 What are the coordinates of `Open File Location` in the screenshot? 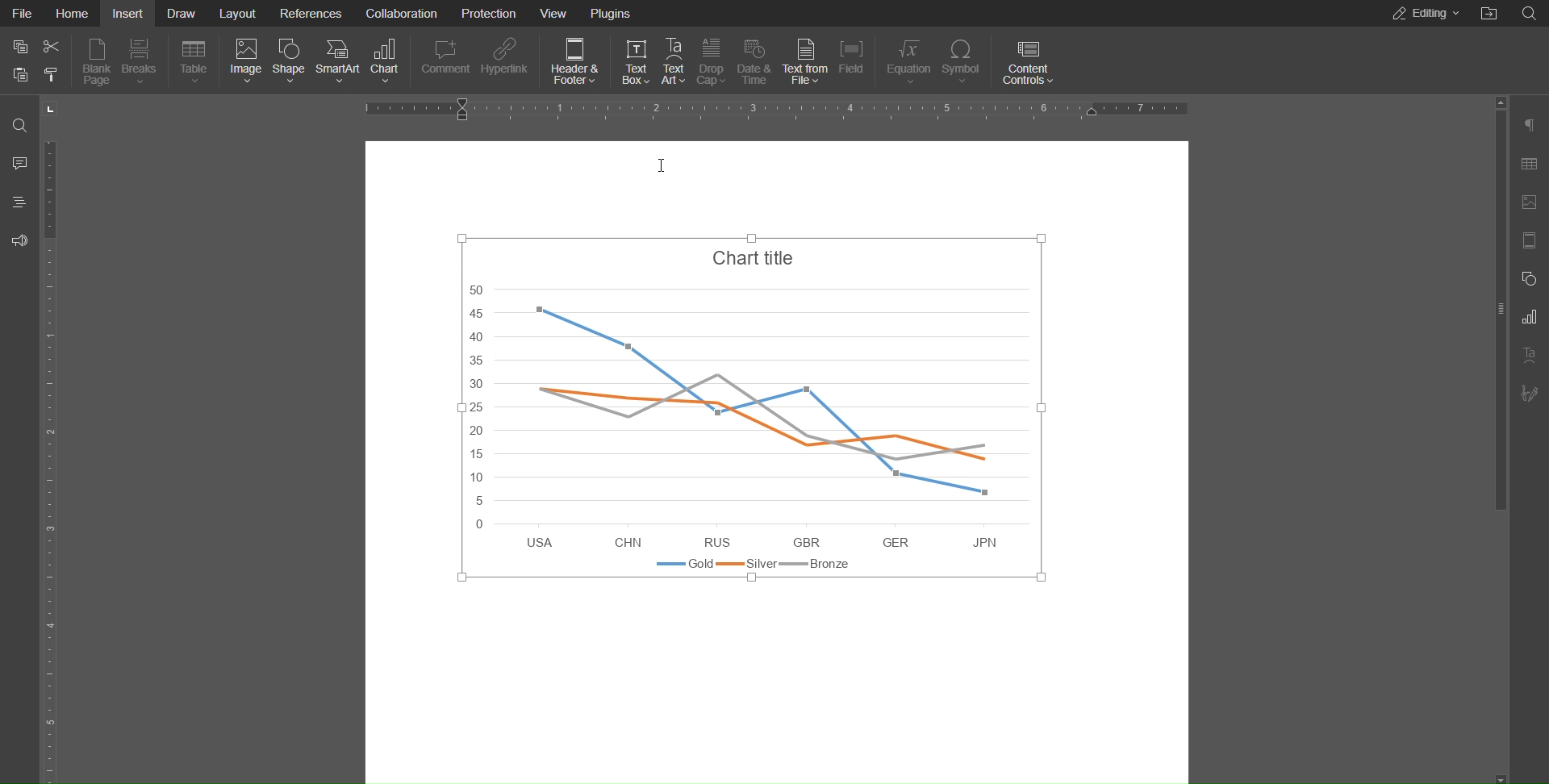 It's located at (1487, 14).